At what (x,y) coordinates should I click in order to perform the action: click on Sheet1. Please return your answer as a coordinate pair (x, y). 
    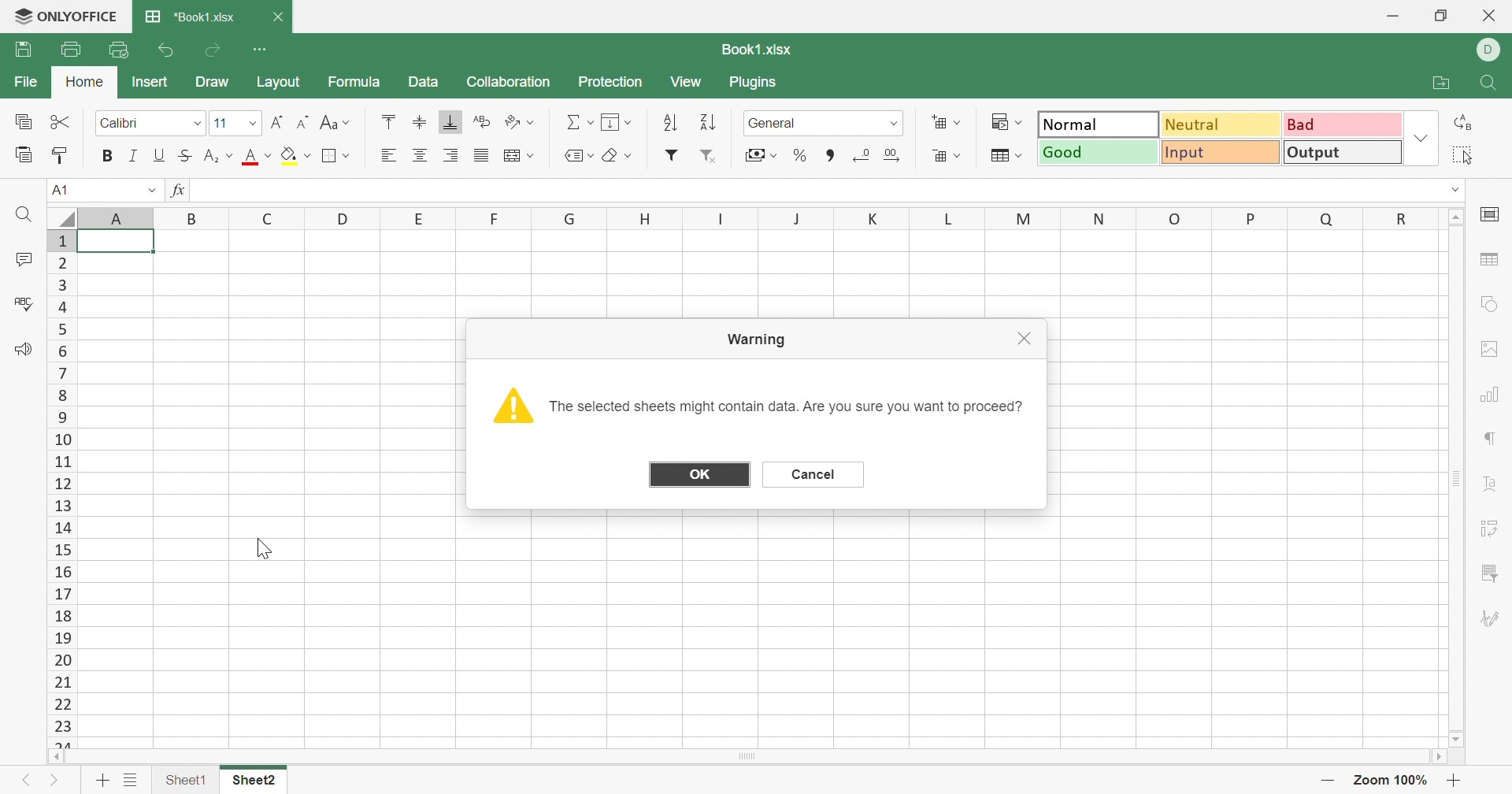
    Looking at the image, I should click on (185, 777).